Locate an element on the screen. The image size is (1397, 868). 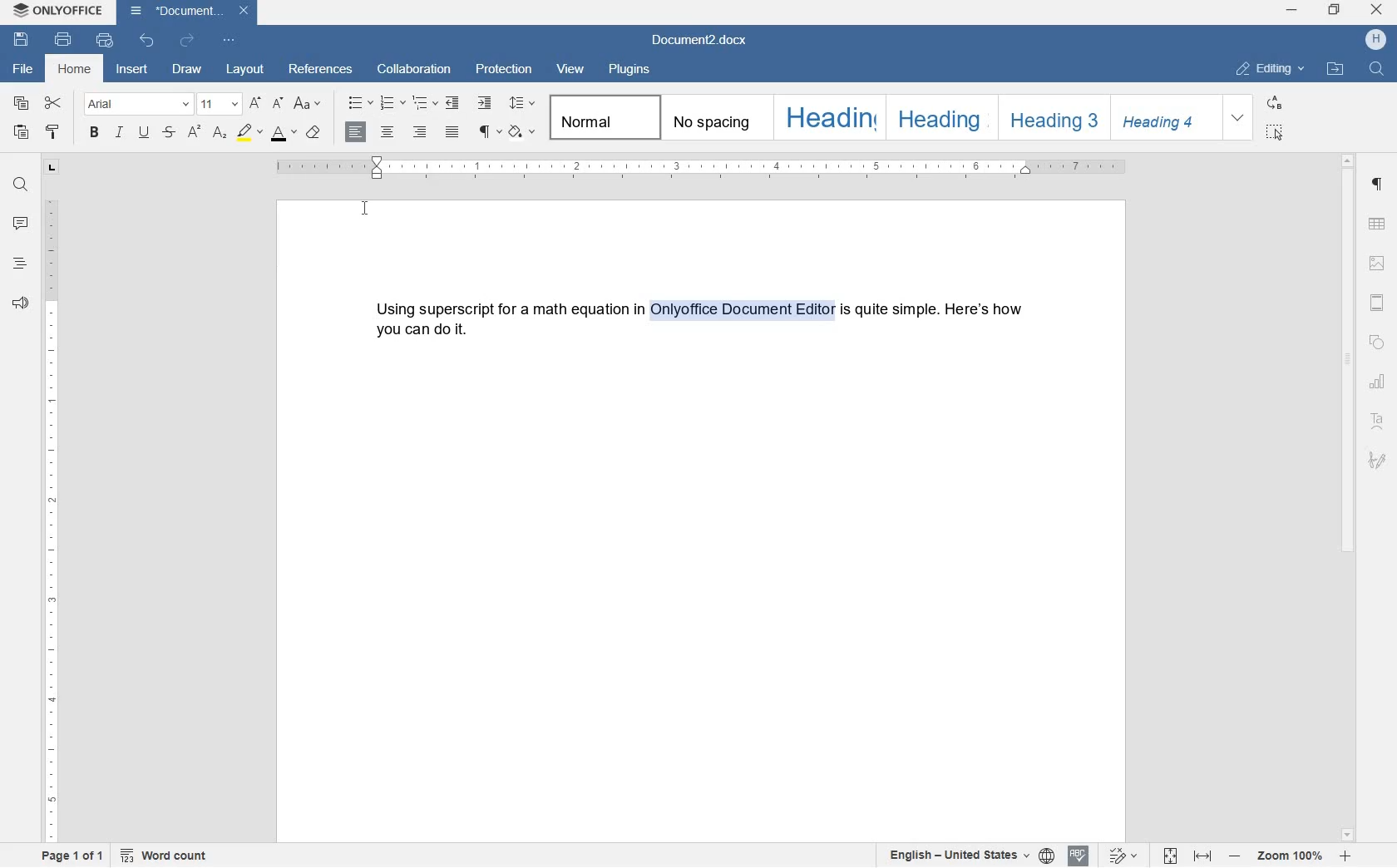
EXPAND FORMATTING STYLE is located at coordinates (1240, 118).